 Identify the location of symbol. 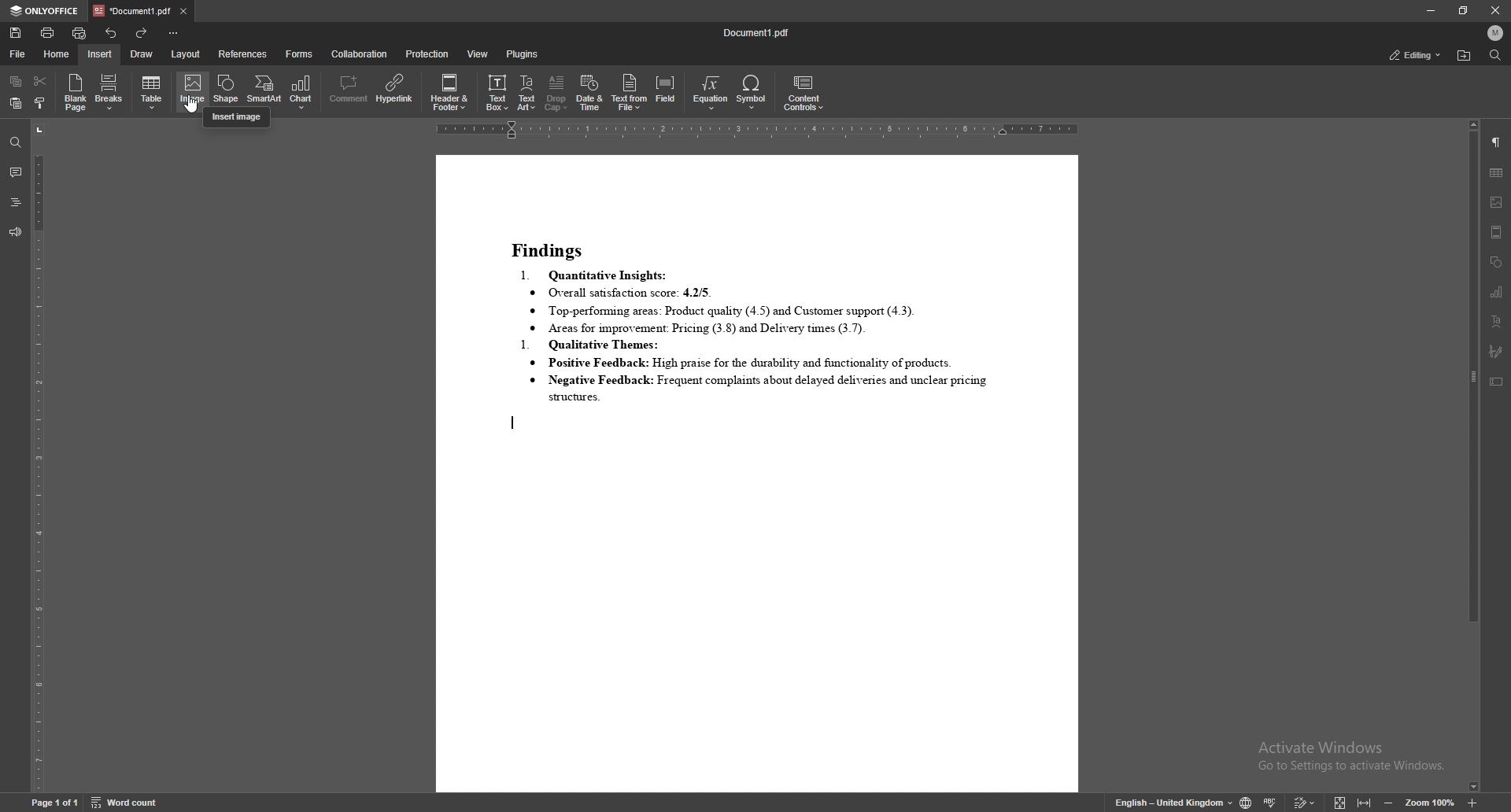
(752, 92).